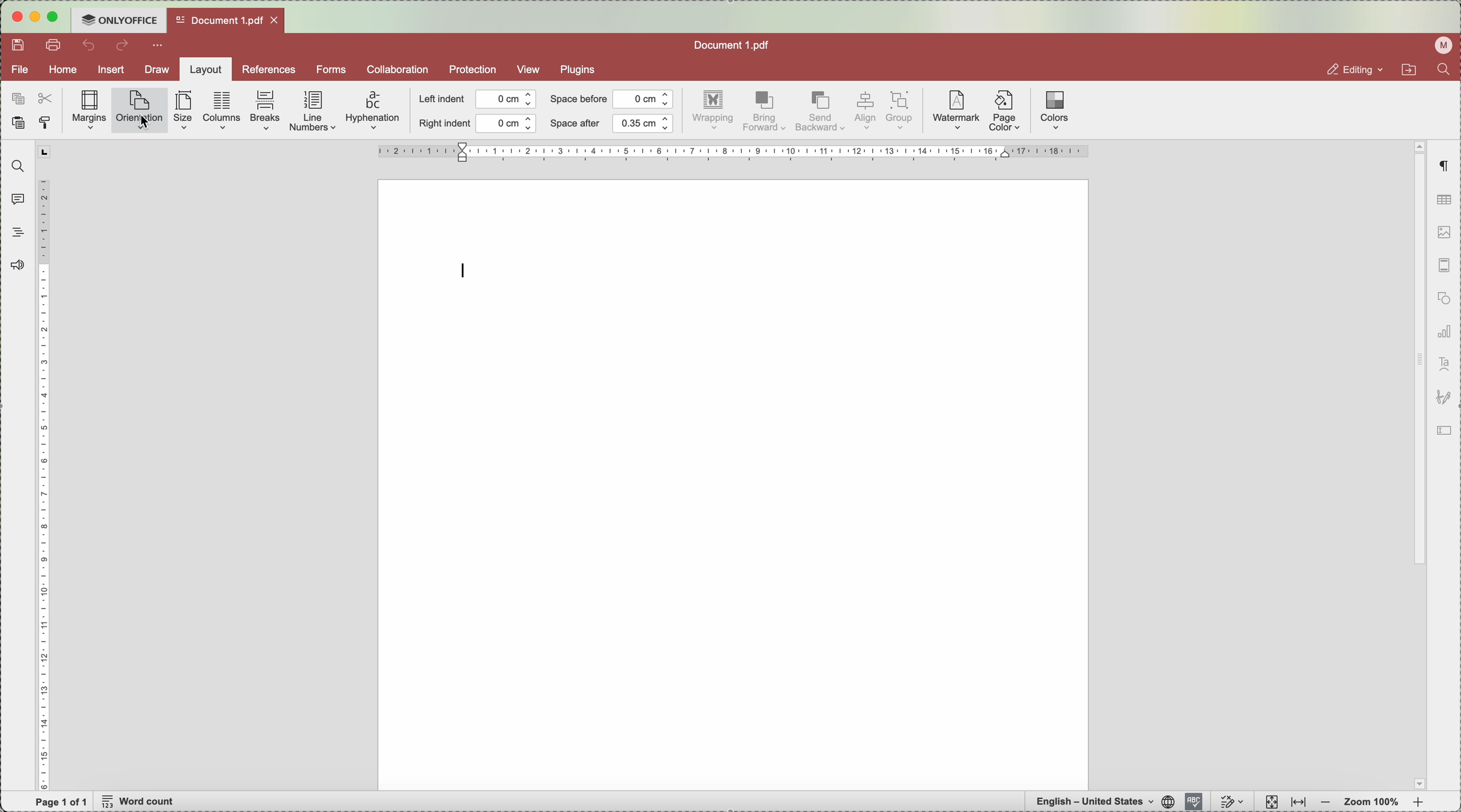 The height and width of the screenshot is (812, 1461). What do you see at coordinates (1373, 802) in the screenshot?
I see `zoom 100%` at bounding box center [1373, 802].